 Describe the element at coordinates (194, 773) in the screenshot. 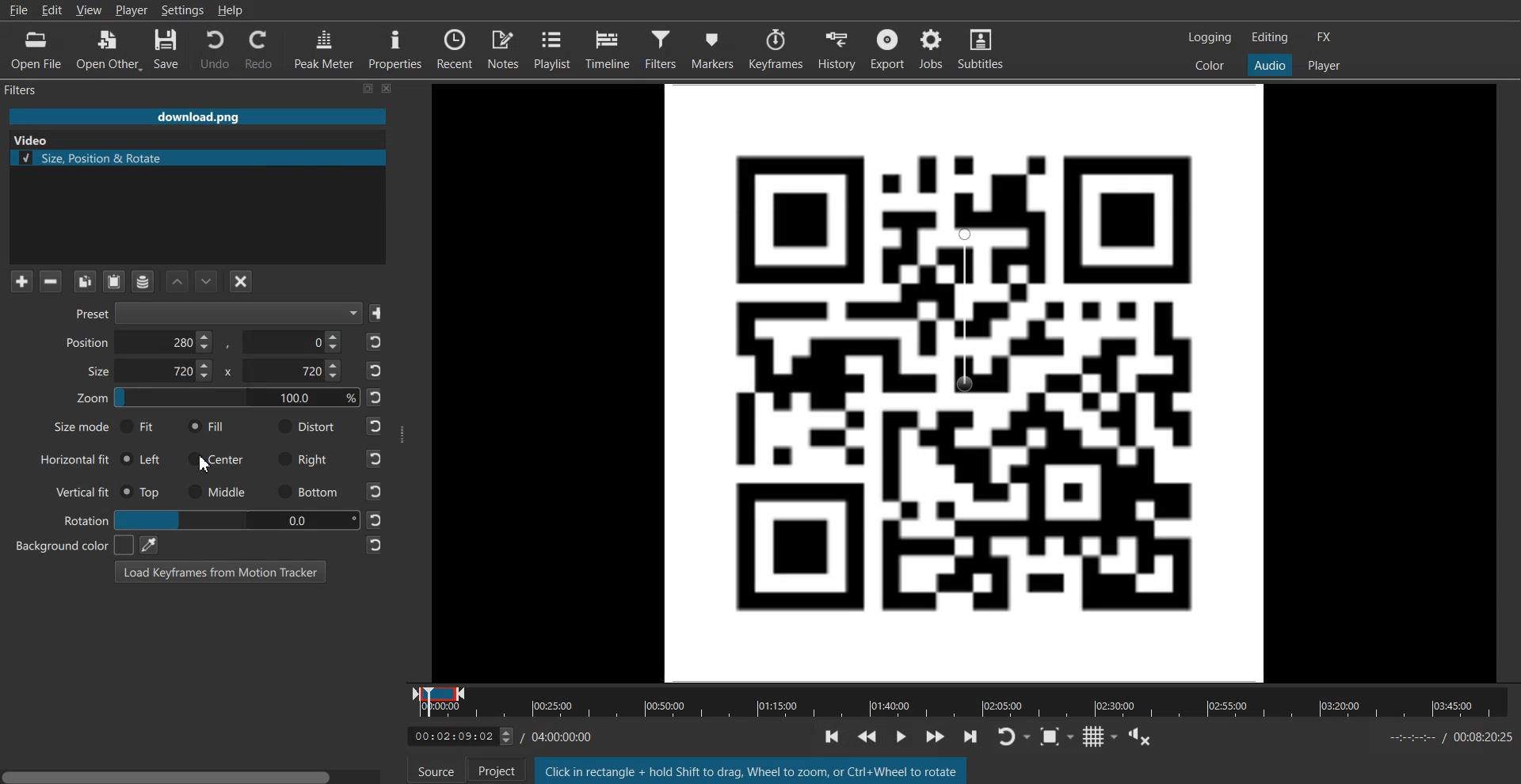

I see `Horizontal Scroll bar` at that location.